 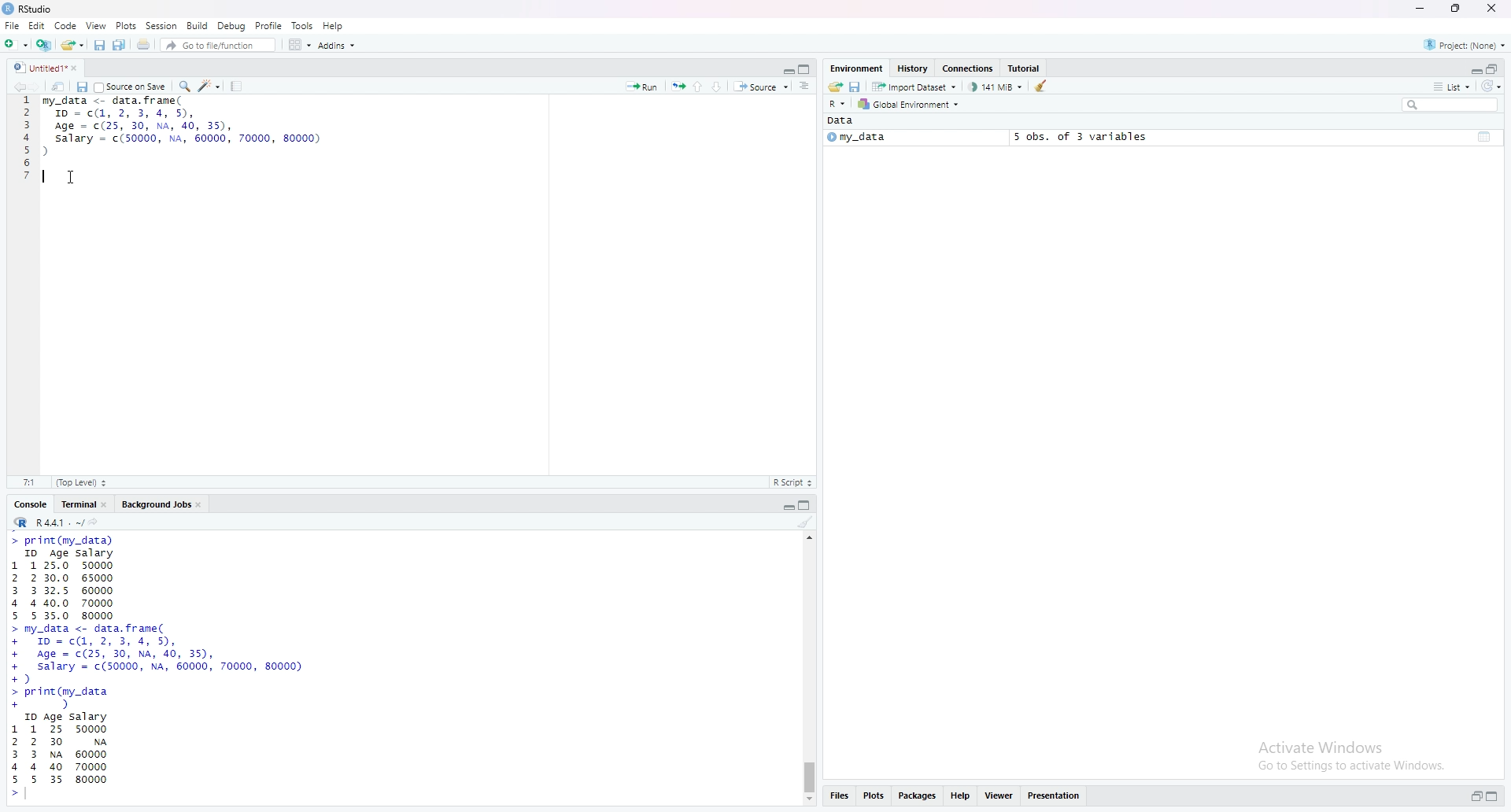 I want to click on collapse, so click(x=807, y=69).